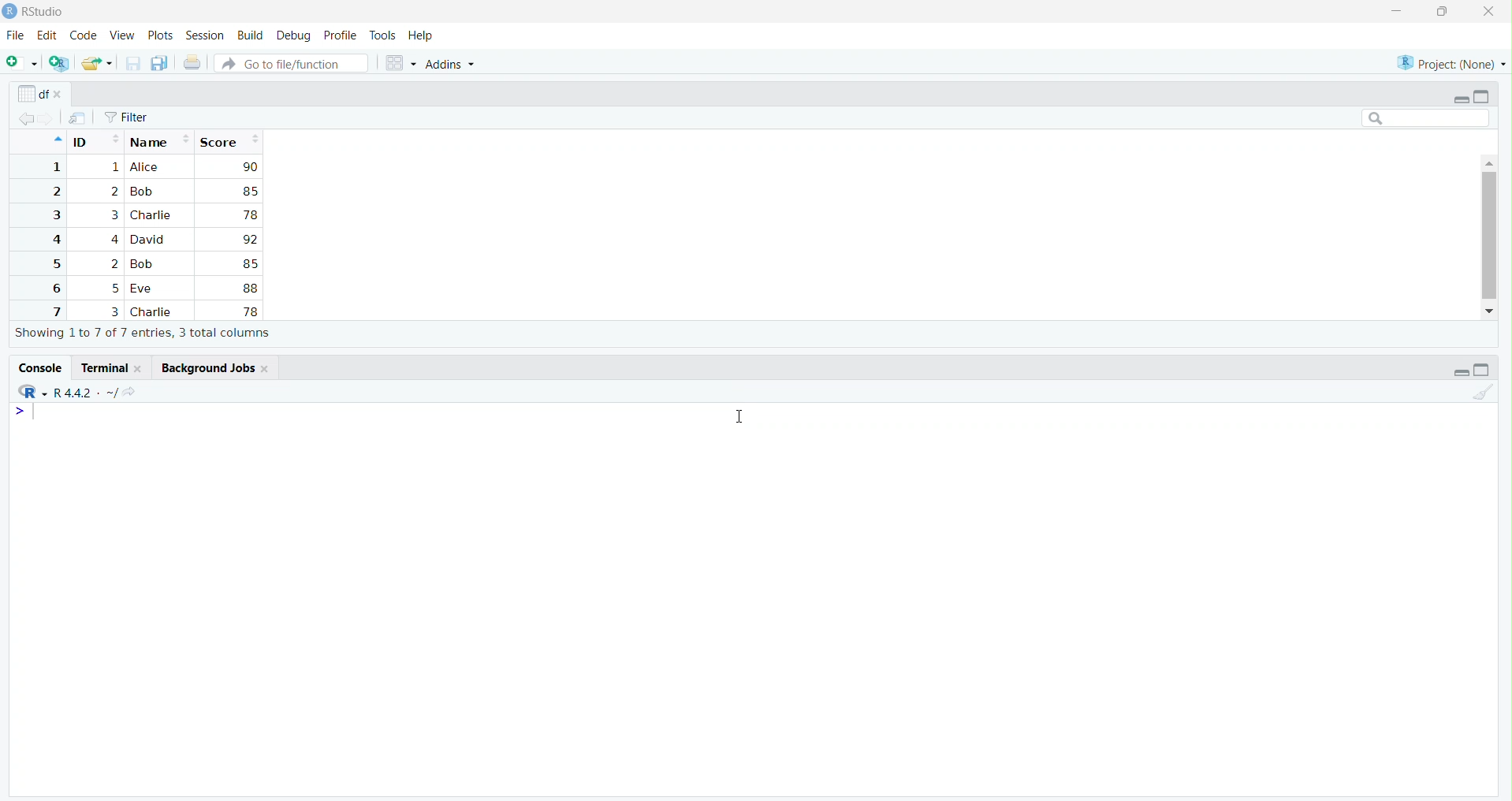 This screenshot has width=1512, height=801. What do you see at coordinates (249, 263) in the screenshot?
I see `85` at bounding box center [249, 263].